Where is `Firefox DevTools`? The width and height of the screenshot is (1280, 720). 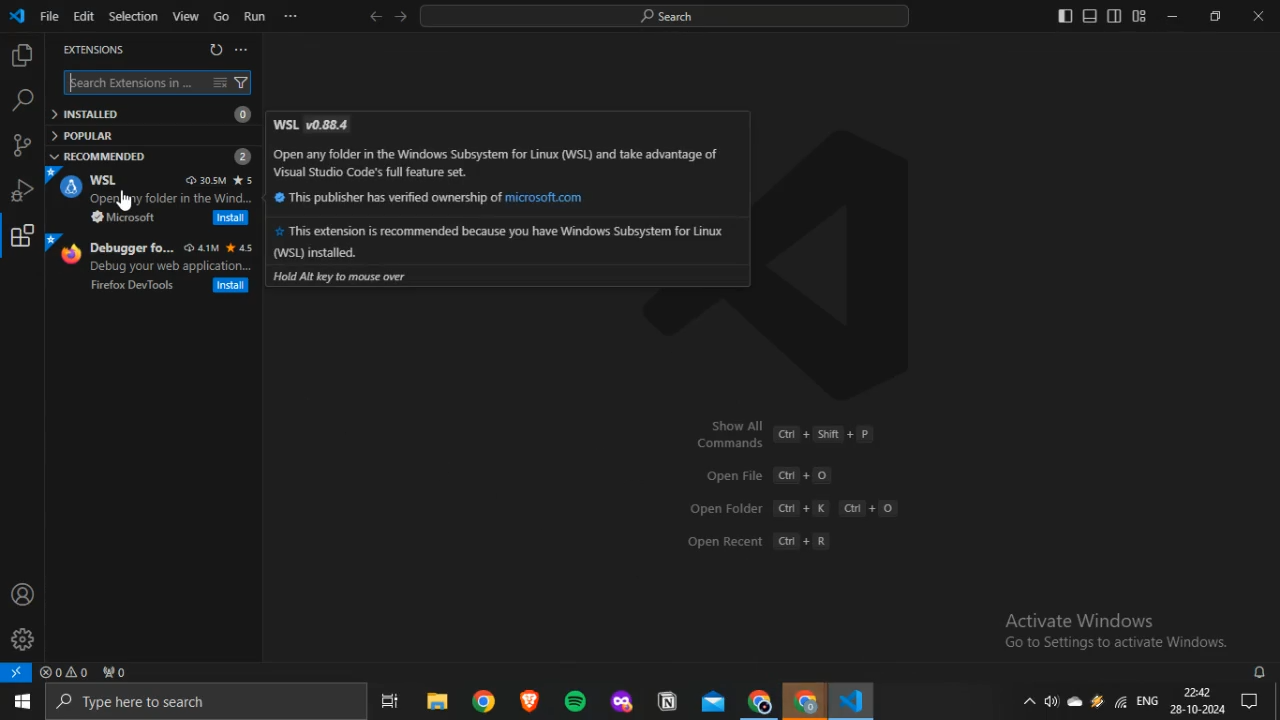 Firefox DevTools is located at coordinates (133, 286).